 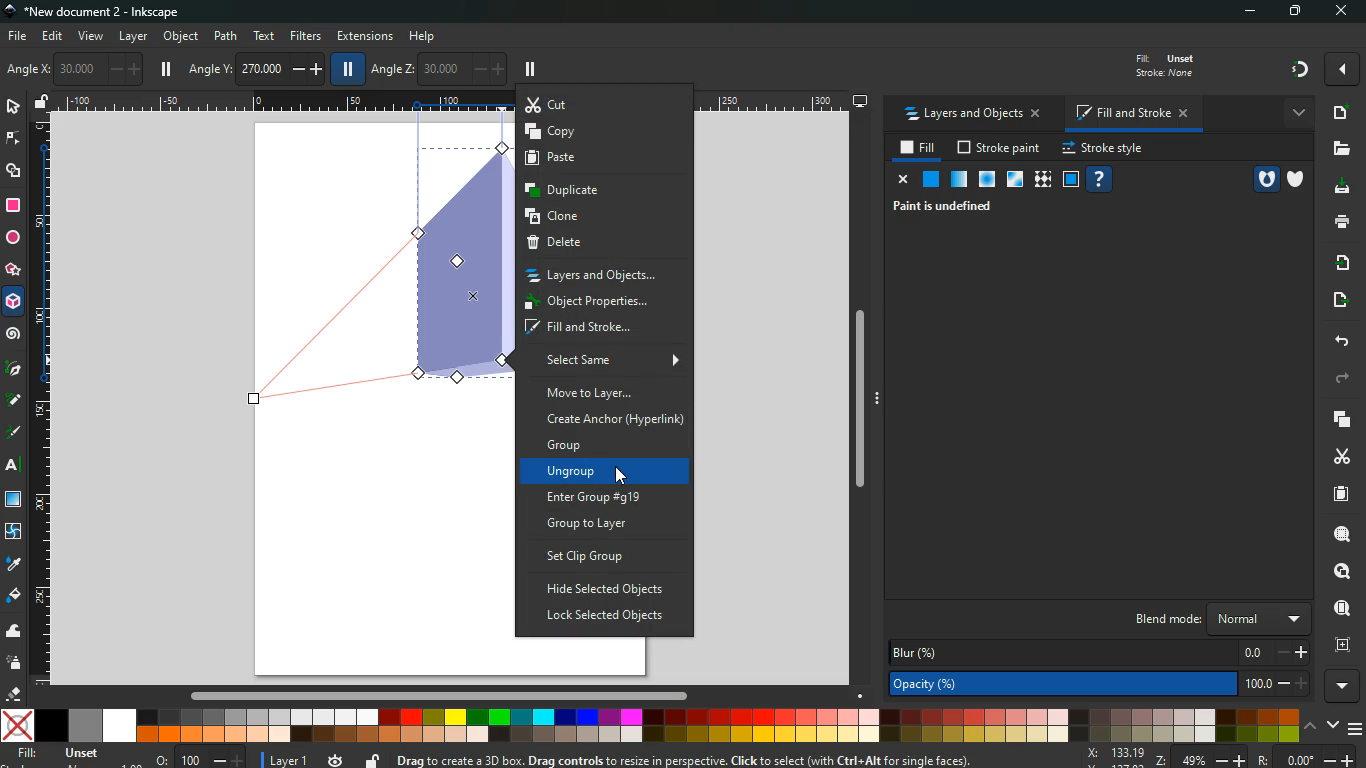 What do you see at coordinates (603, 275) in the screenshot?
I see `layers and objects` at bounding box center [603, 275].